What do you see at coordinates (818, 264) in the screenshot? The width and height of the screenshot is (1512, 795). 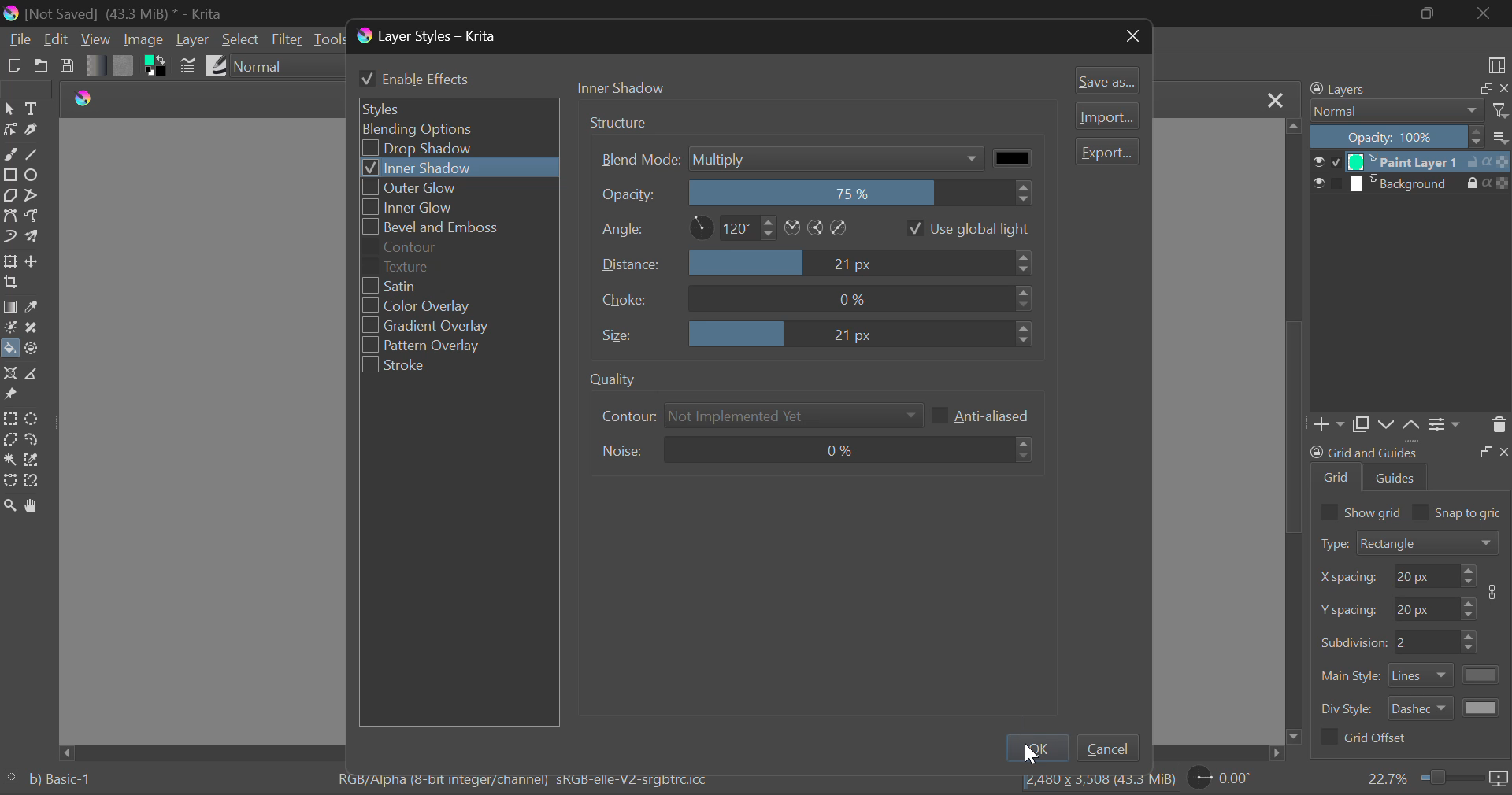 I see `Distance` at bounding box center [818, 264].